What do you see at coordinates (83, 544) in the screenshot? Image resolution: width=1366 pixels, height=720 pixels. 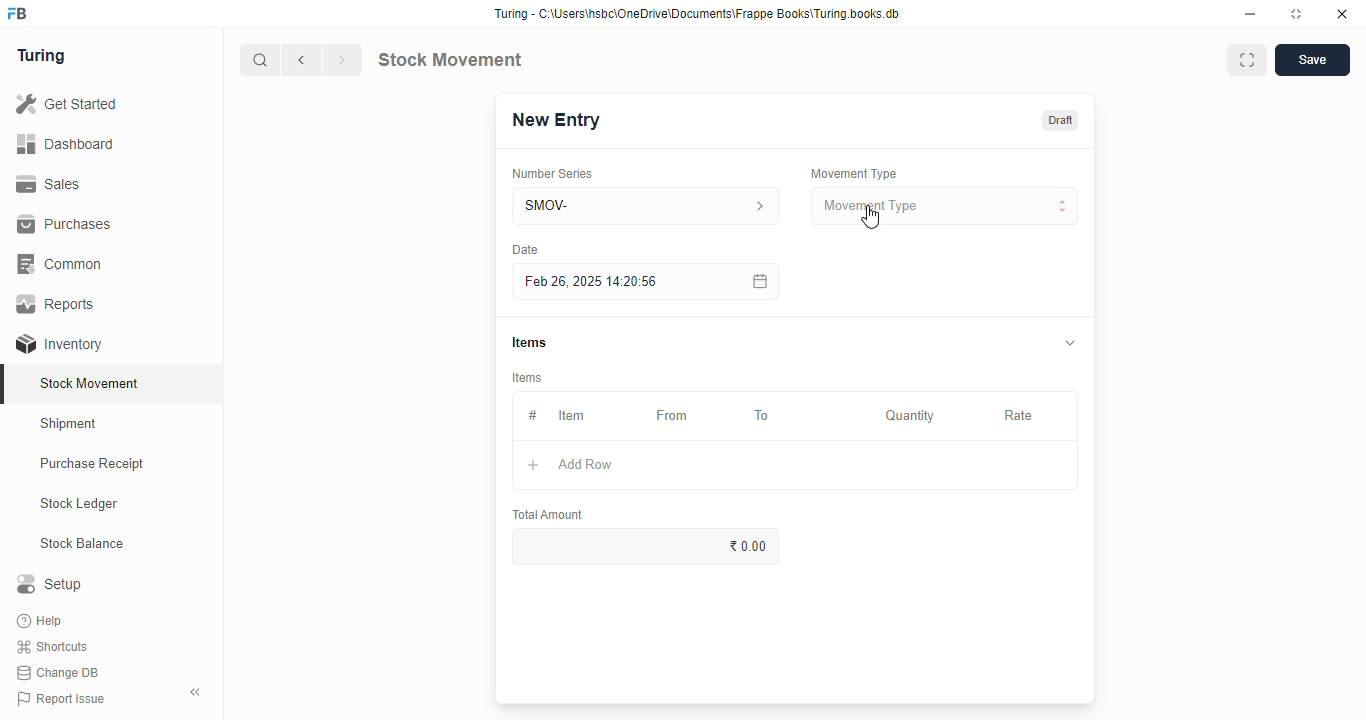 I see `stock balance` at bounding box center [83, 544].